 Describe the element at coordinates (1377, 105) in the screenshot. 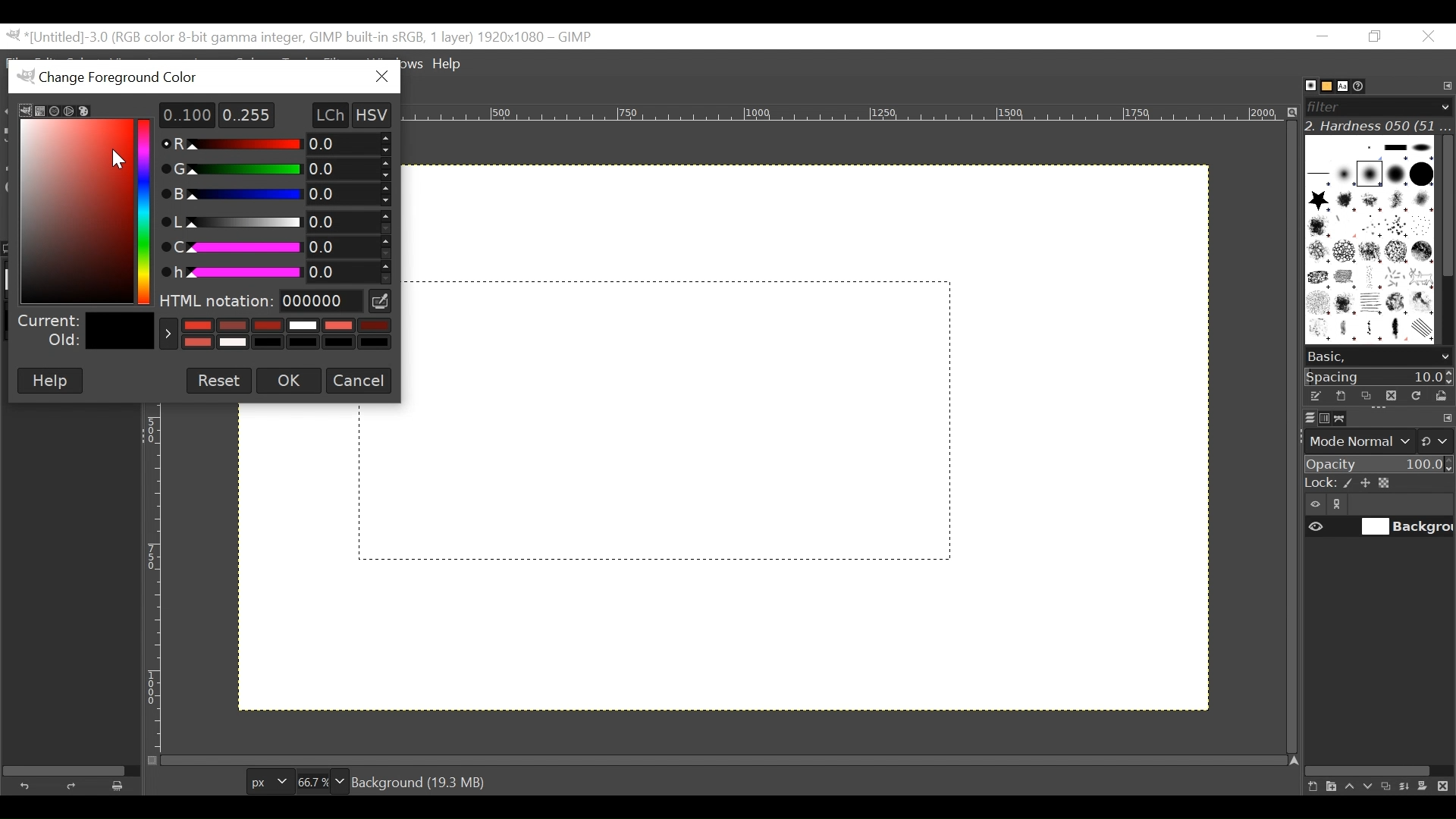

I see `Filter bar` at that location.